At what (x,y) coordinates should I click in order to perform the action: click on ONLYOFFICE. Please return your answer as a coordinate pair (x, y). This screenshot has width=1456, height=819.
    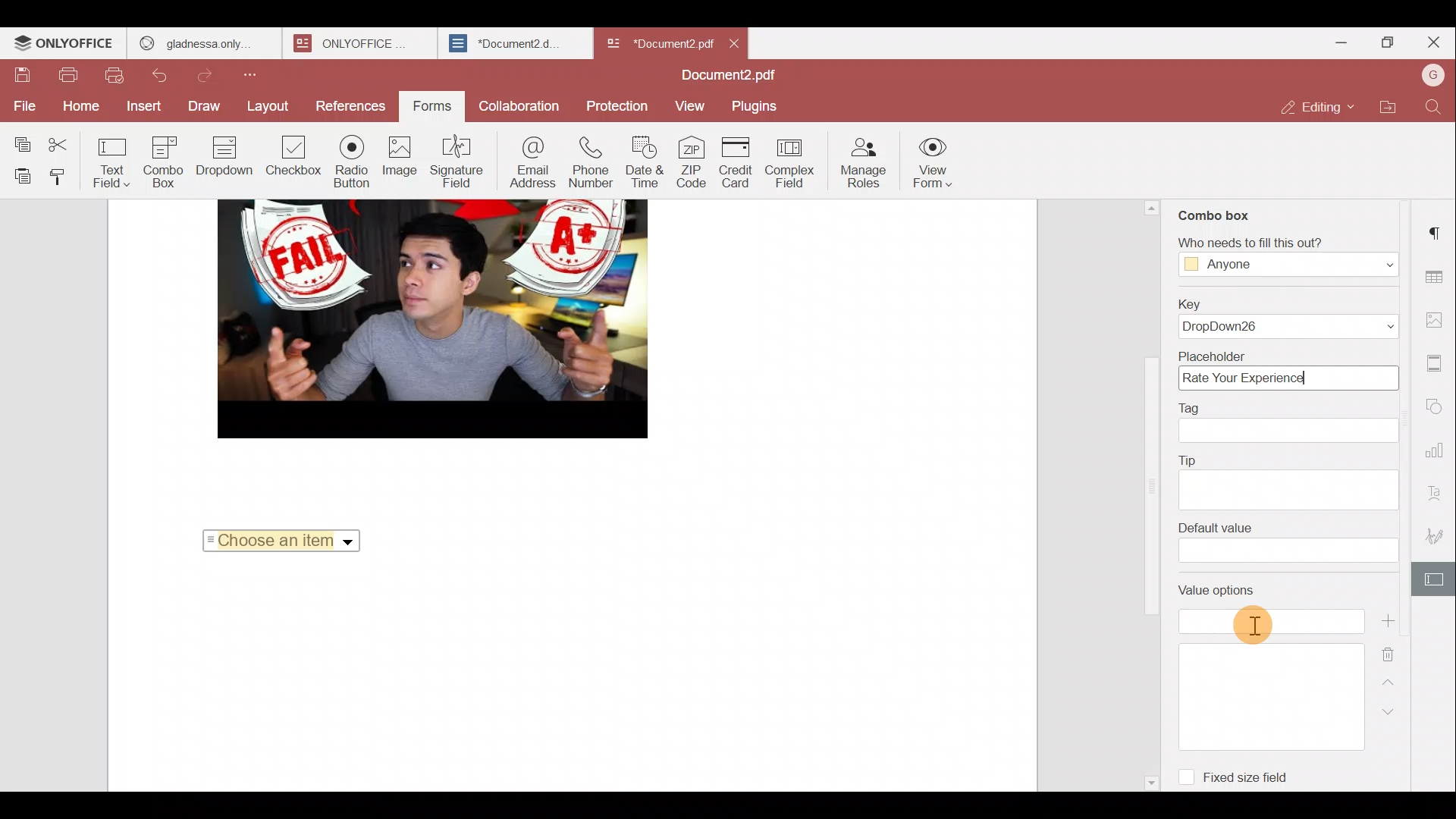
    Looking at the image, I should click on (64, 45).